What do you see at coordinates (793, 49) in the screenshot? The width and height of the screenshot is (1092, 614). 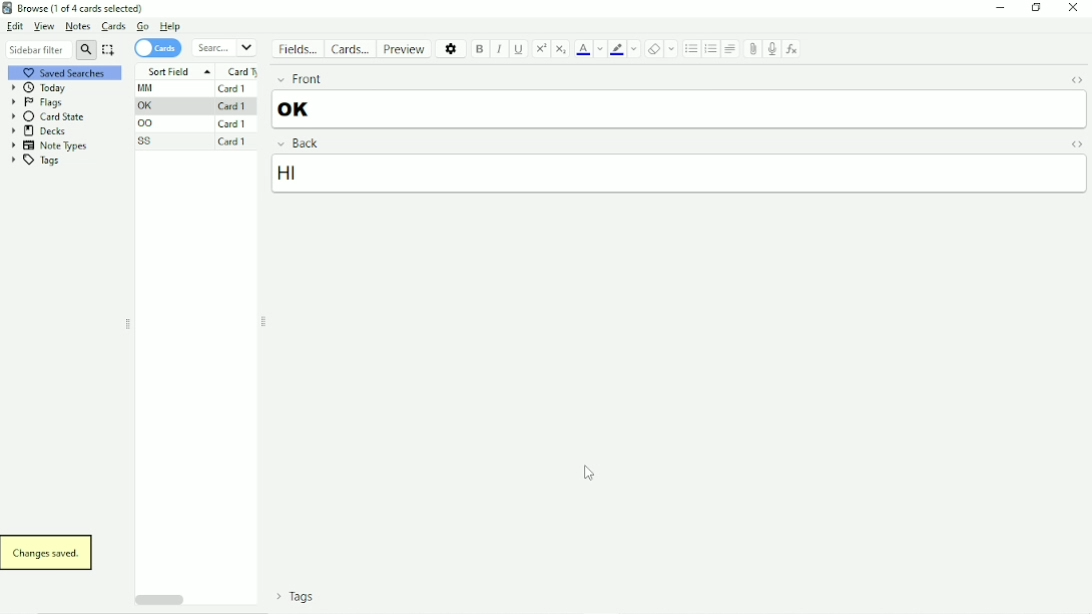 I see `Equations` at bounding box center [793, 49].